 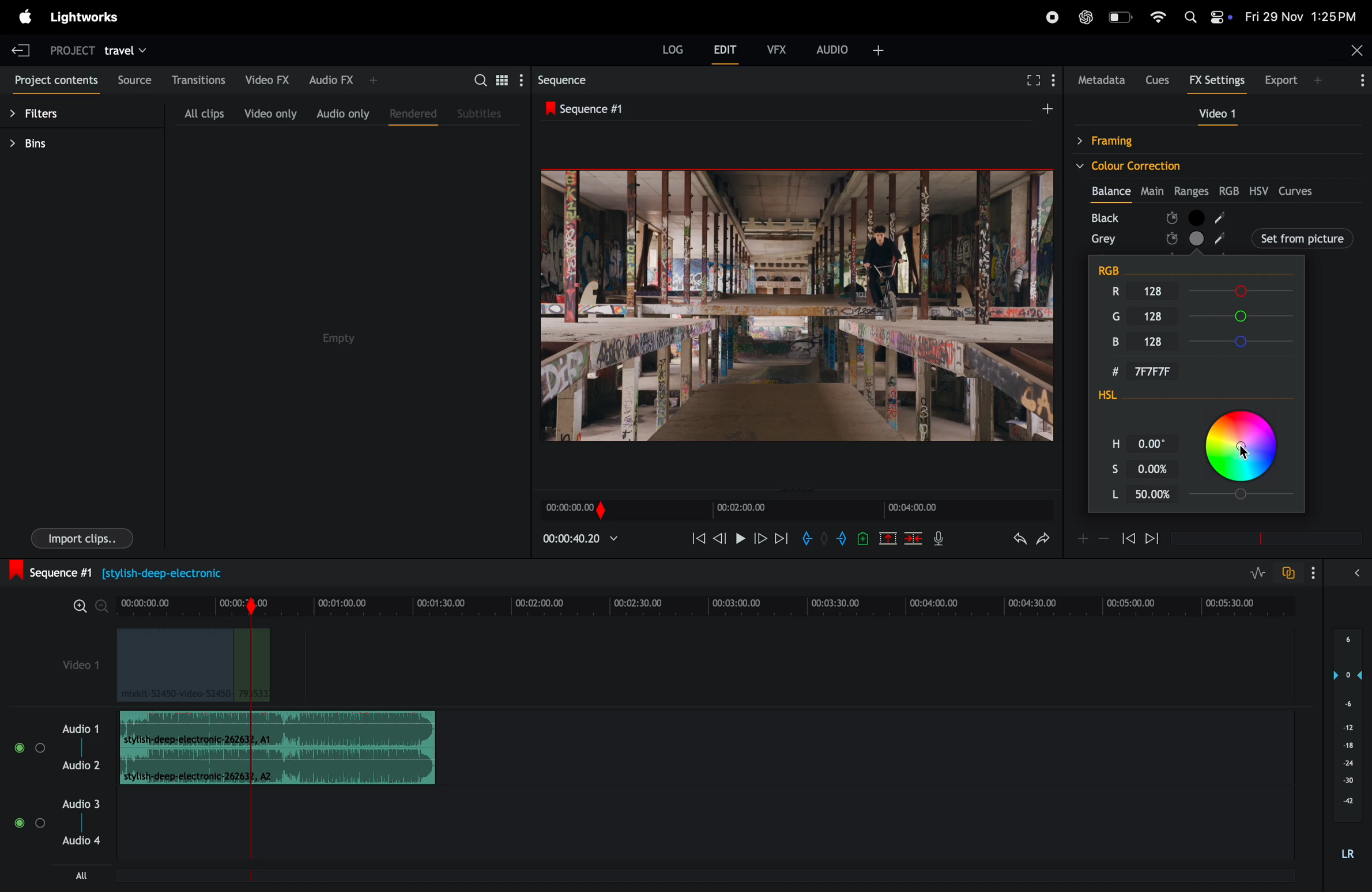 I want to click on project, so click(x=70, y=50).